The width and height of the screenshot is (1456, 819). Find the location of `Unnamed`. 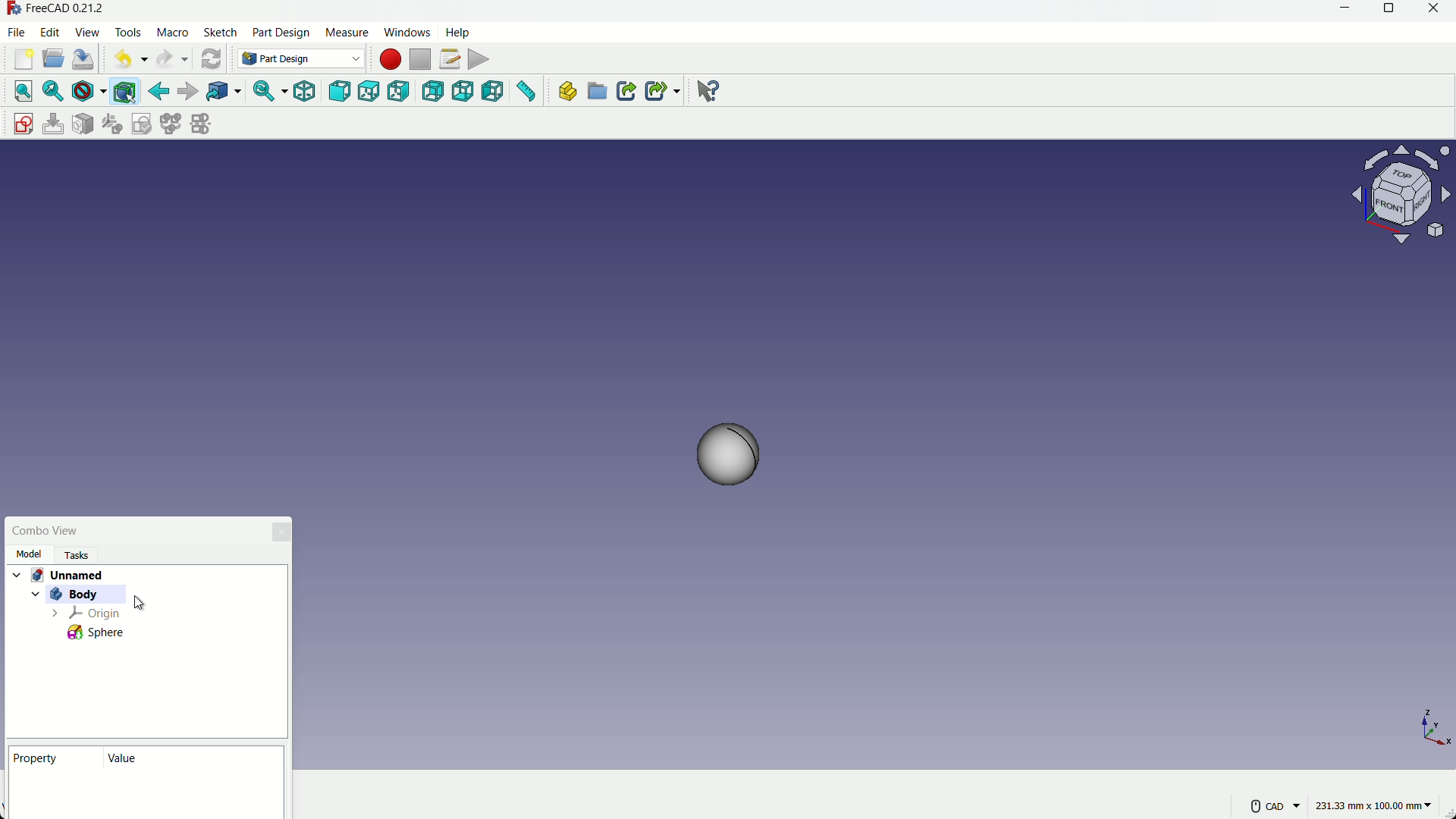

Unnamed is located at coordinates (65, 574).